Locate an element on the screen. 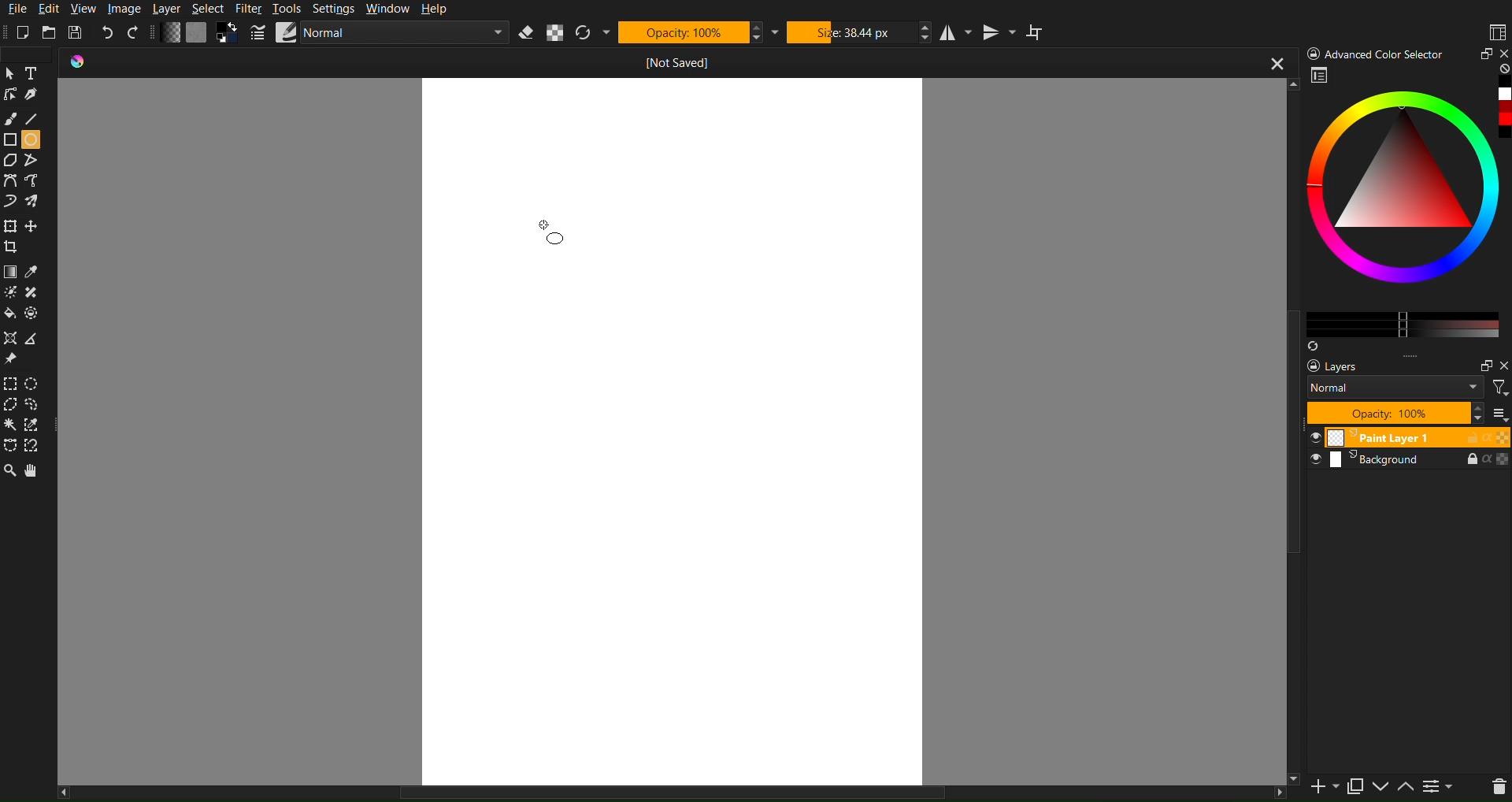 The height and width of the screenshot is (802, 1512). Brush Tool is located at coordinates (10, 119).